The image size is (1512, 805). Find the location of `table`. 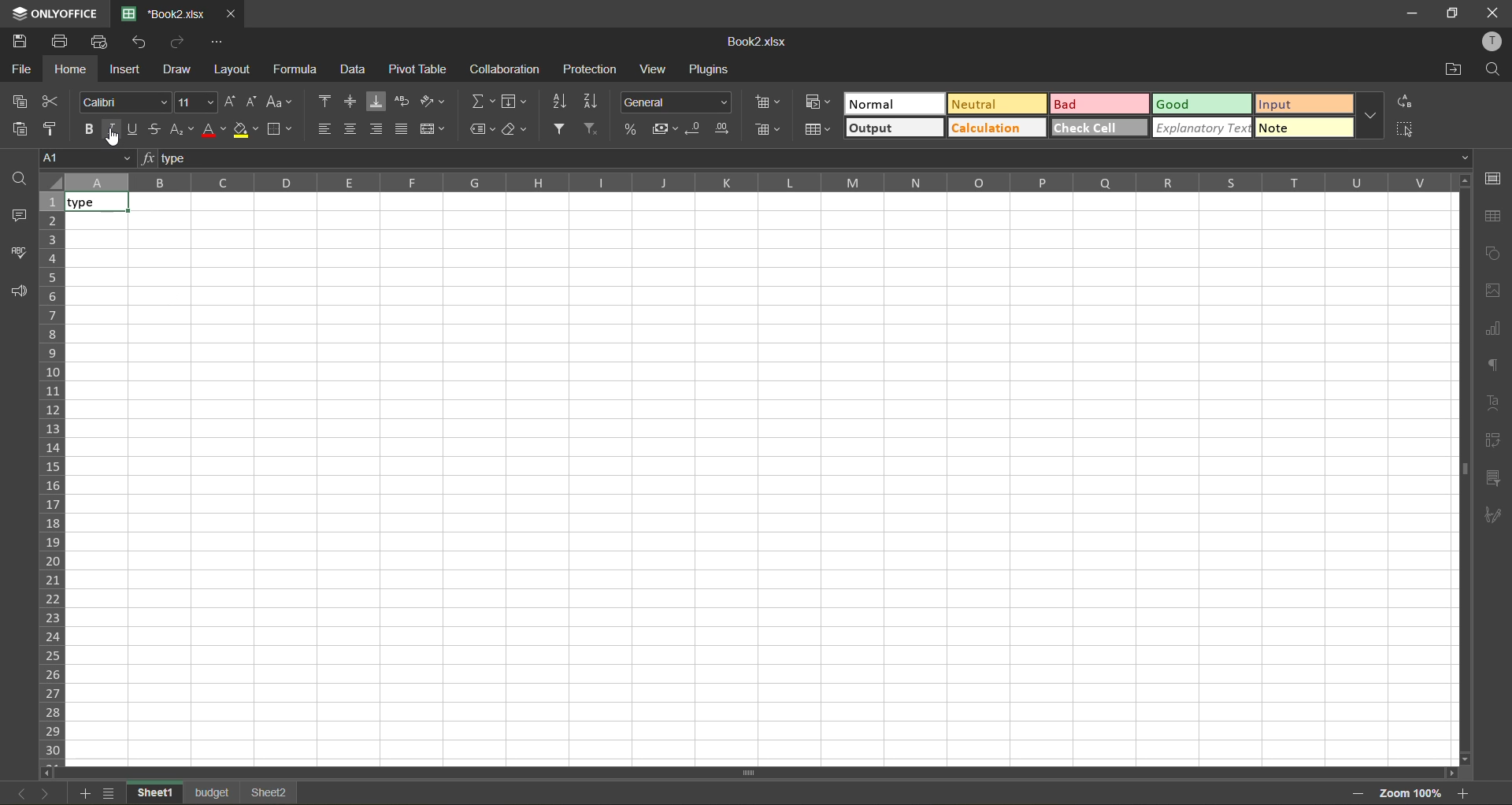

table is located at coordinates (1495, 217).